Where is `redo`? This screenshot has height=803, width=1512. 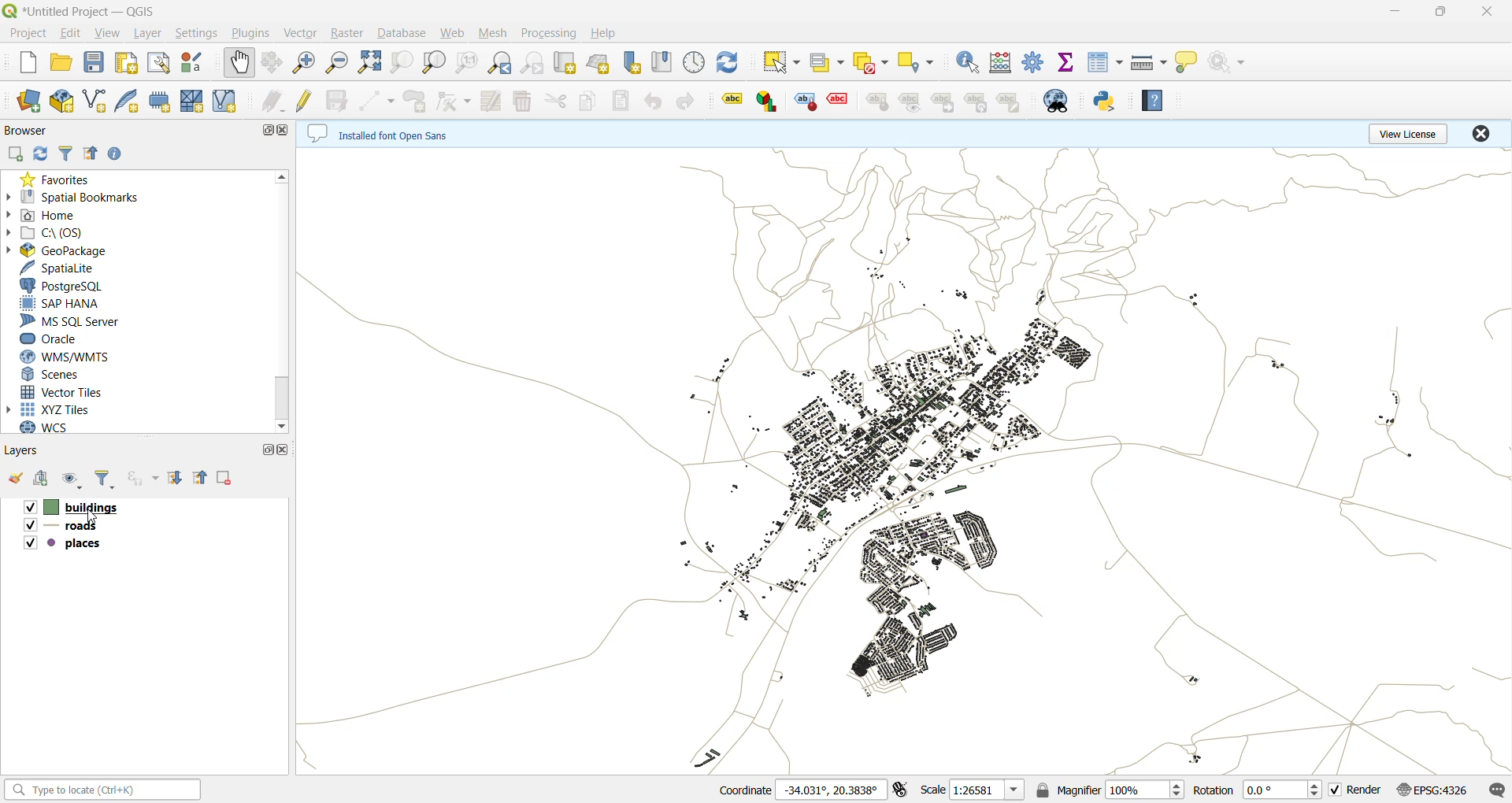
redo is located at coordinates (689, 101).